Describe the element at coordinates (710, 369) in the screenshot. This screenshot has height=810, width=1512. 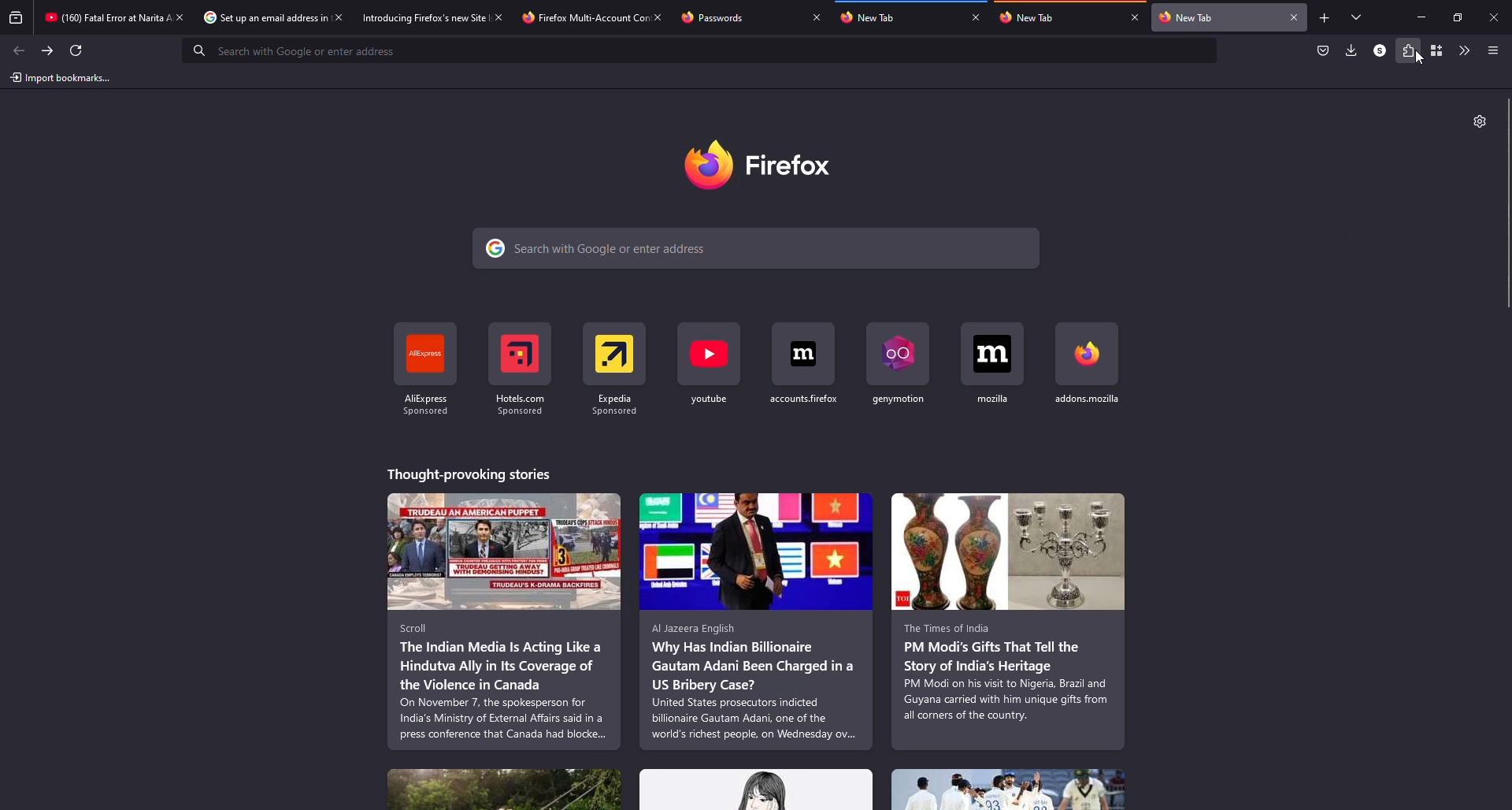
I see `shortcut` at that location.